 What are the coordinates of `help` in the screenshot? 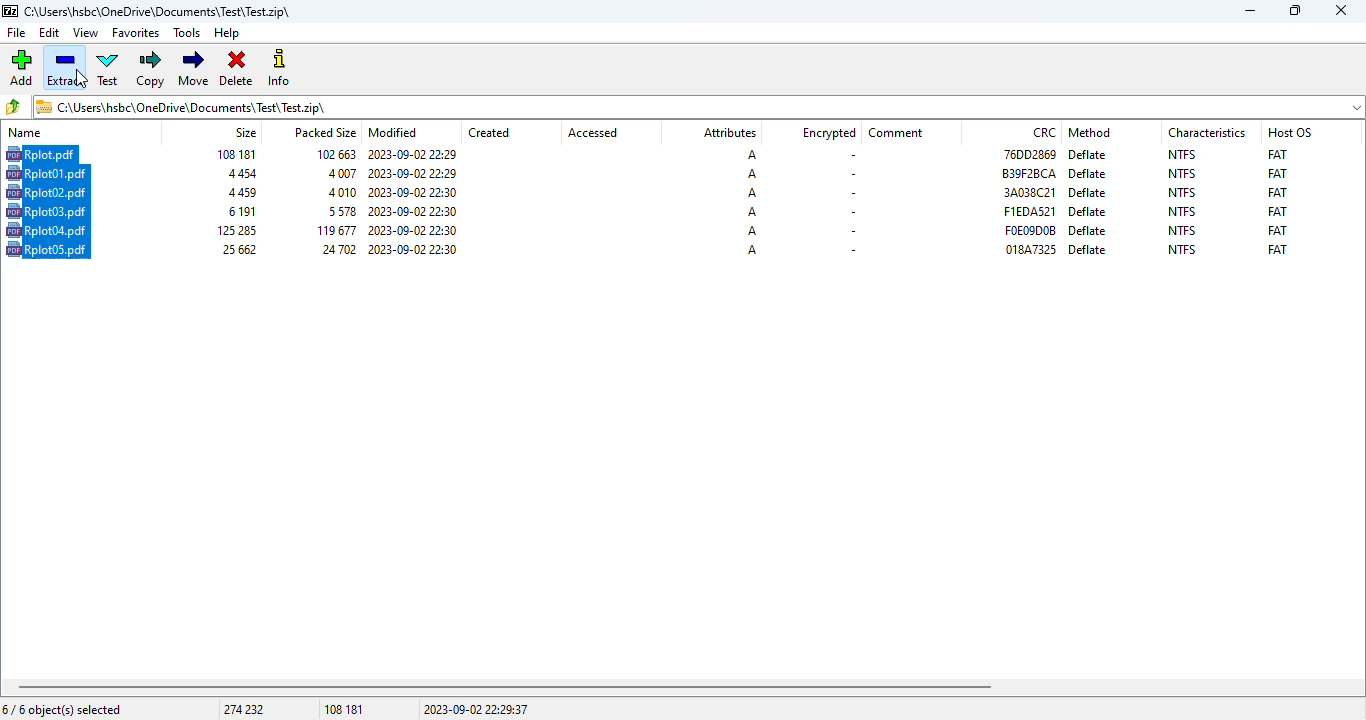 It's located at (227, 34).